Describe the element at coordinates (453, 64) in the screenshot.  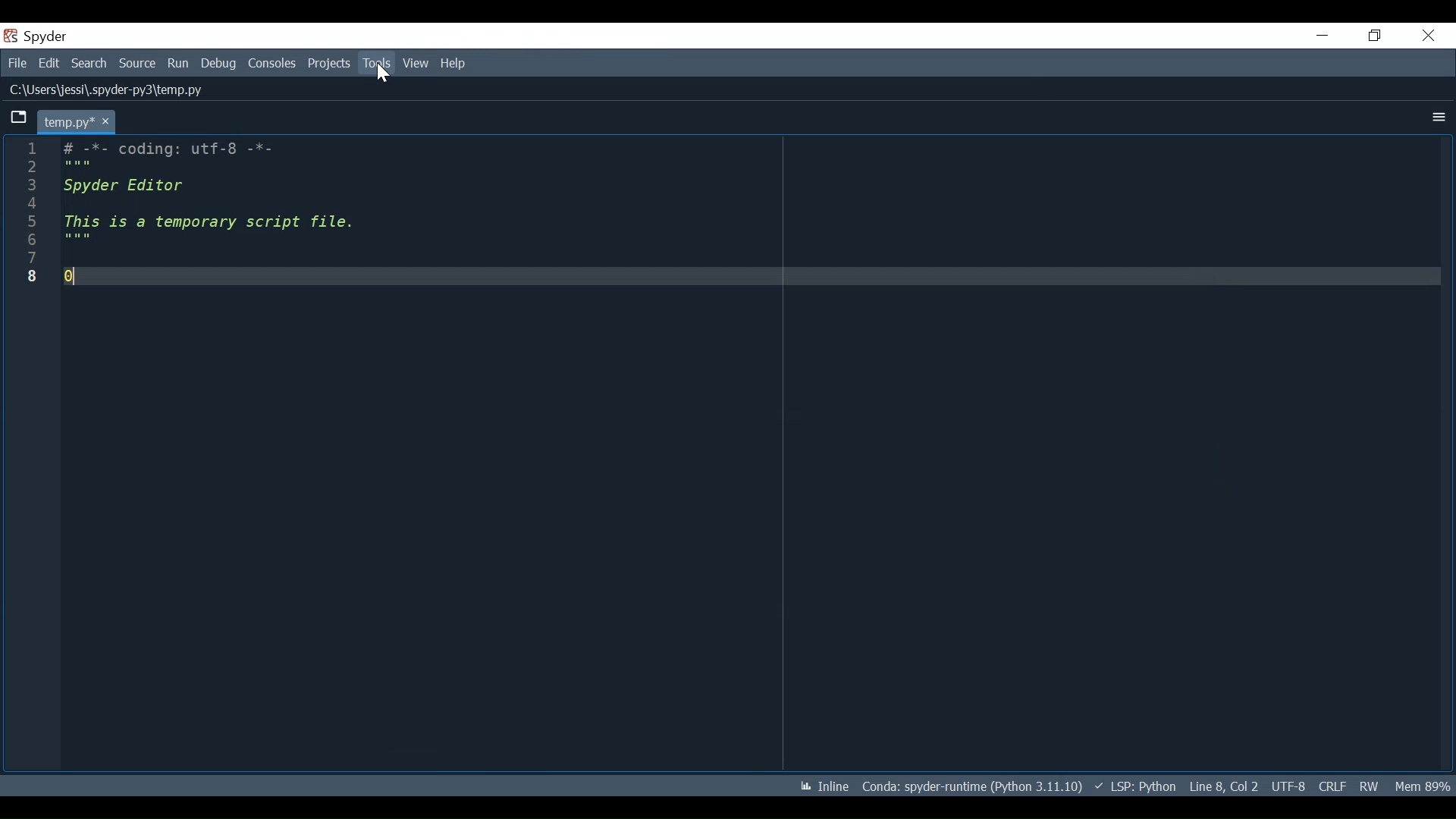
I see `Help` at that location.